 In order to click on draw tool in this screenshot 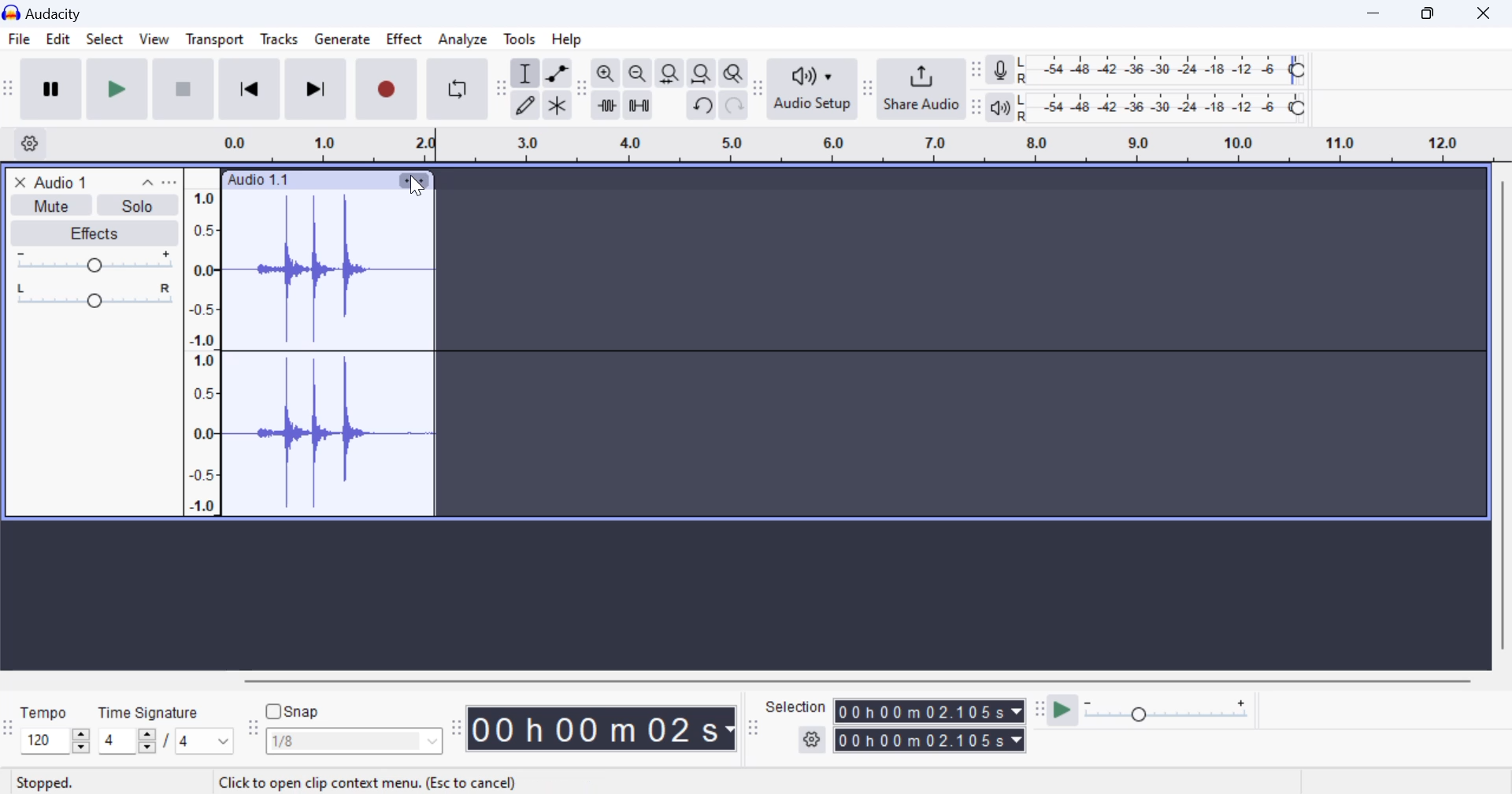, I will do `click(525, 106)`.